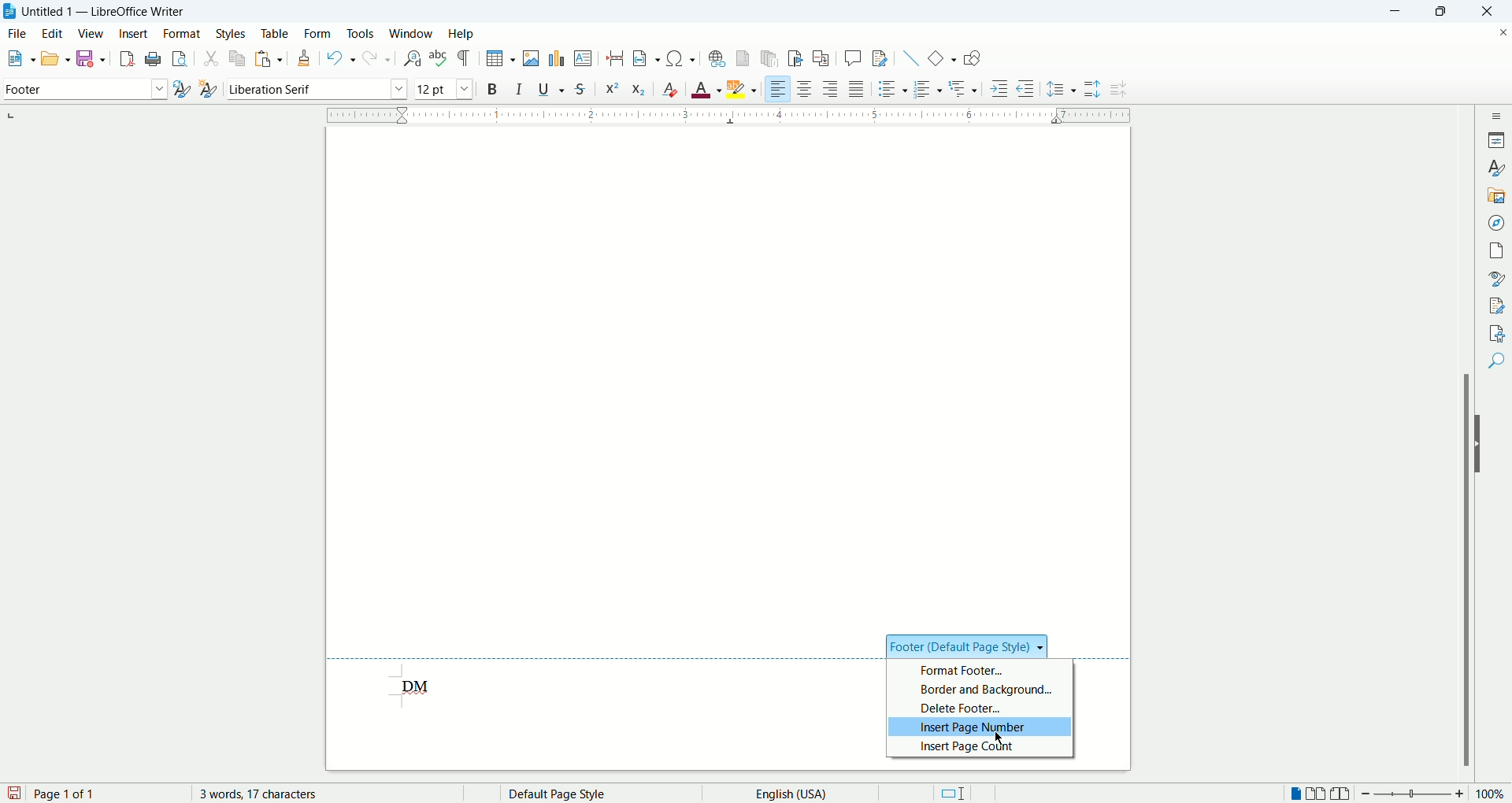  Describe the element at coordinates (362, 32) in the screenshot. I see `tools` at that location.